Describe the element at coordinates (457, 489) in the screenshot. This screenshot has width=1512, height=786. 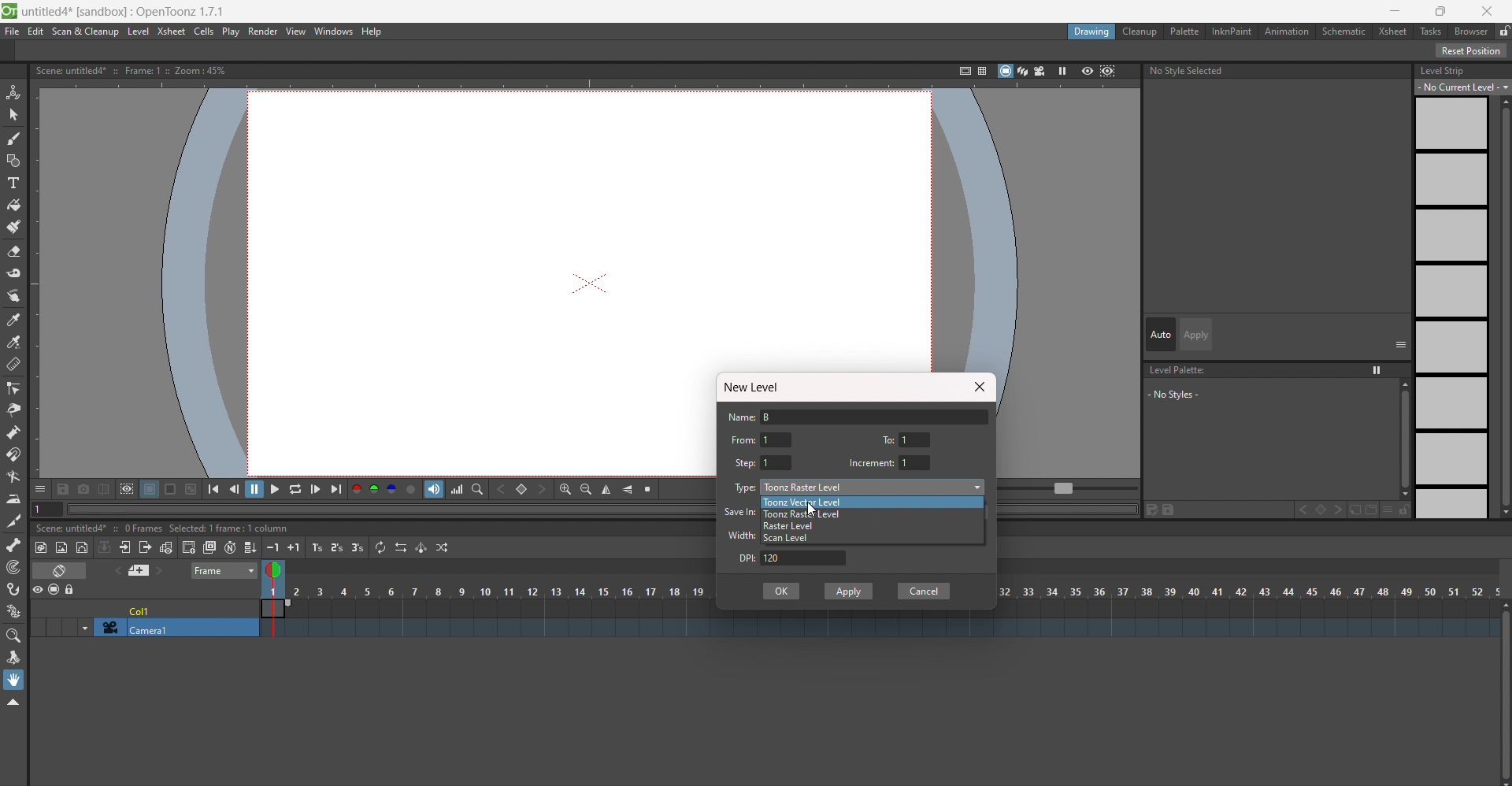
I see `histogram ` at that location.